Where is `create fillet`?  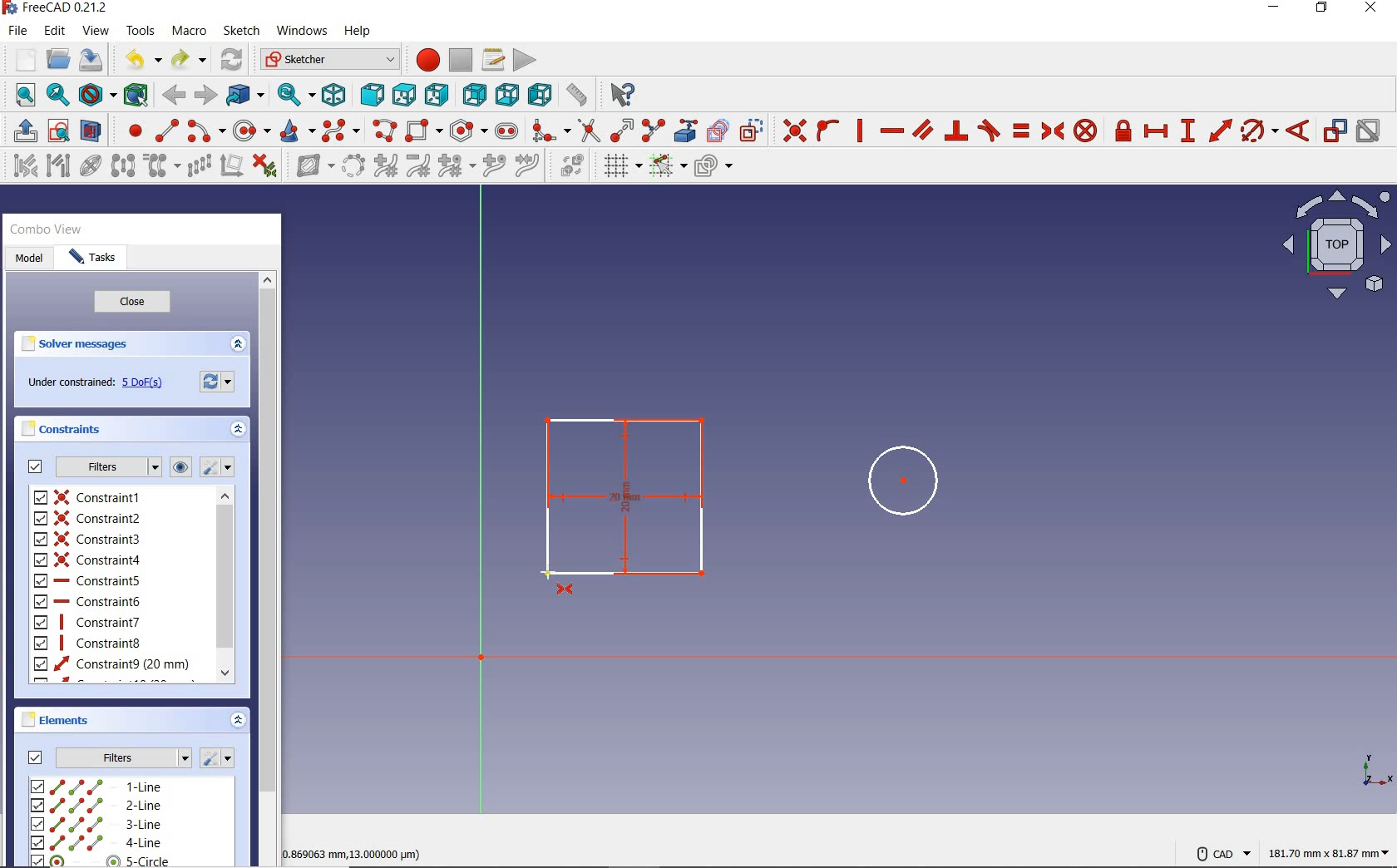 create fillet is located at coordinates (550, 131).